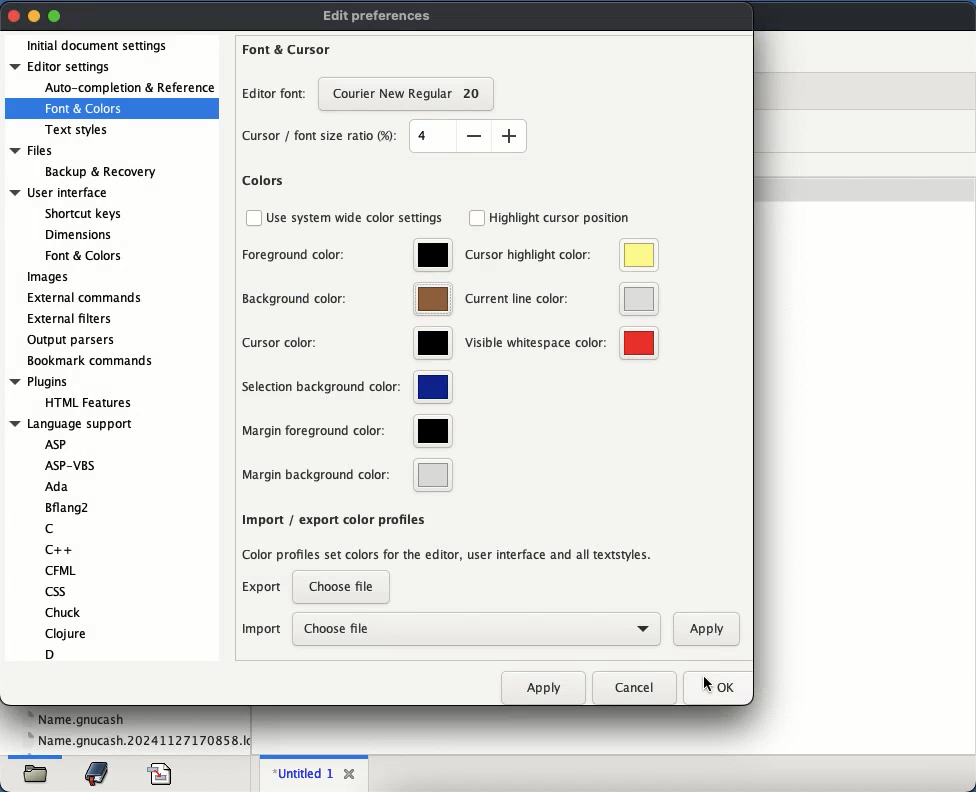 This screenshot has width=976, height=792. I want to click on bookmark, so click(99, 772).